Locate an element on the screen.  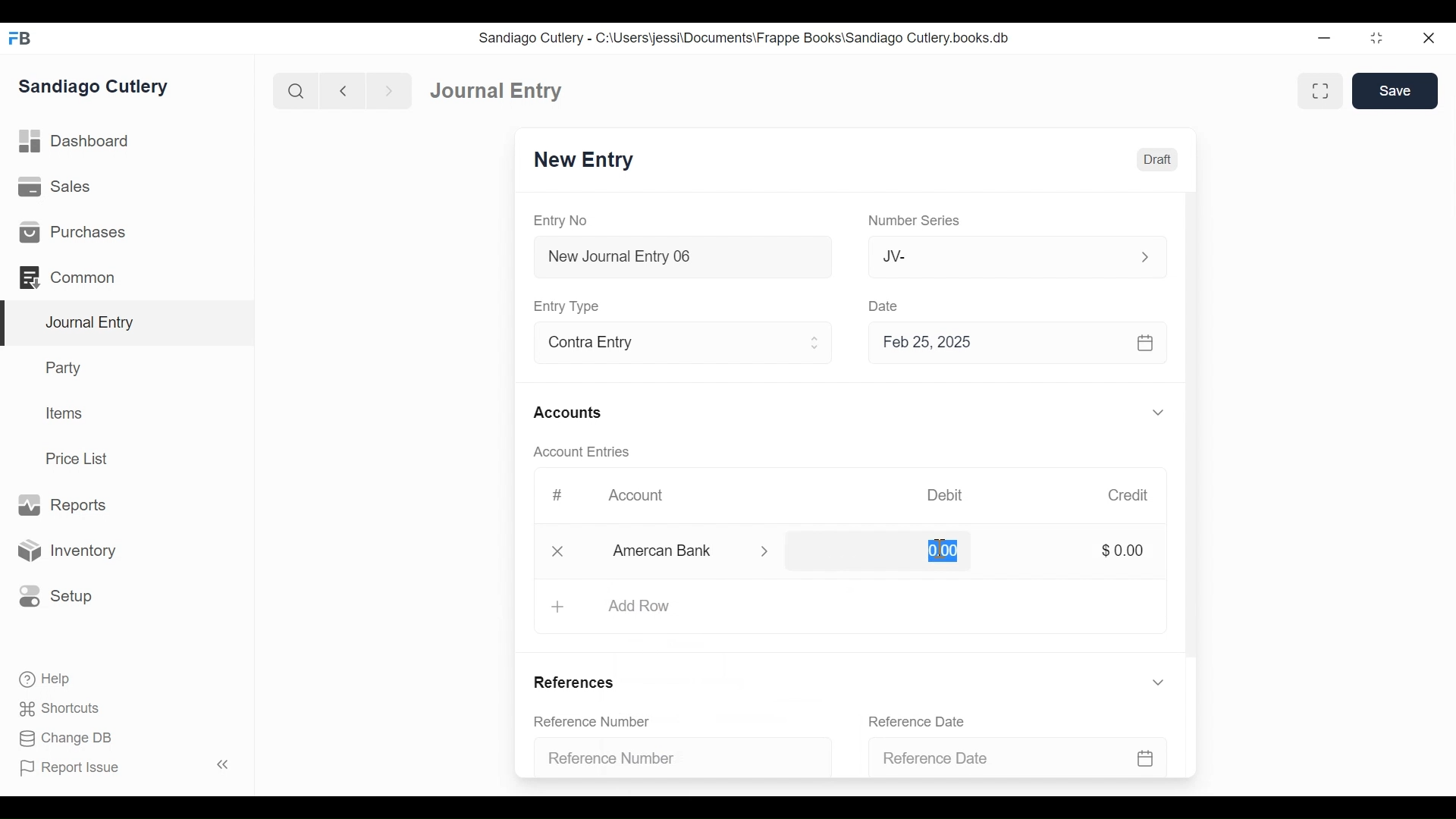
Frappe Books Desktop icon is located at coordinates (21, 39).